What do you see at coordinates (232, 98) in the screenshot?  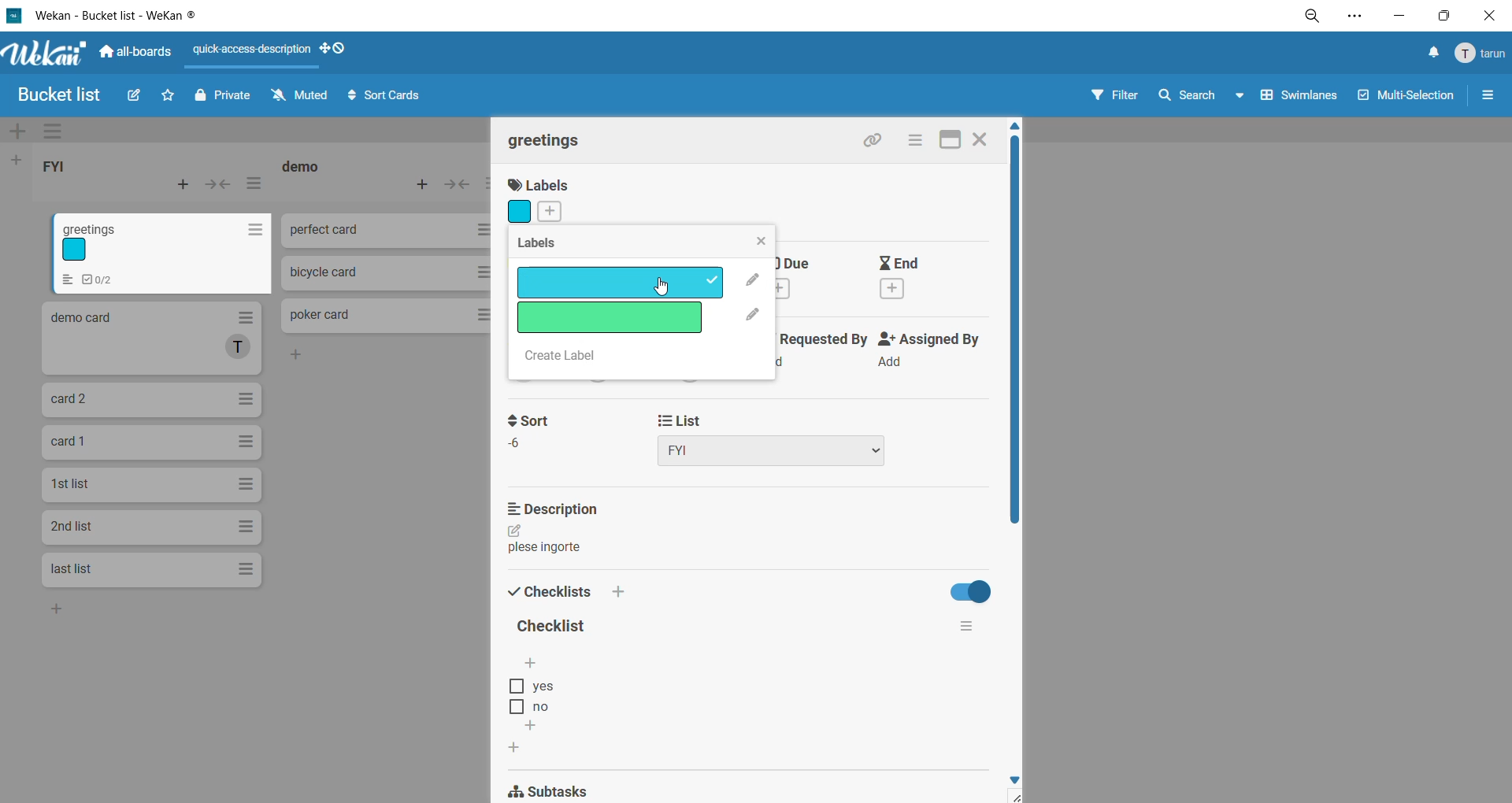 I see `private` at bounding box center [232, 98].